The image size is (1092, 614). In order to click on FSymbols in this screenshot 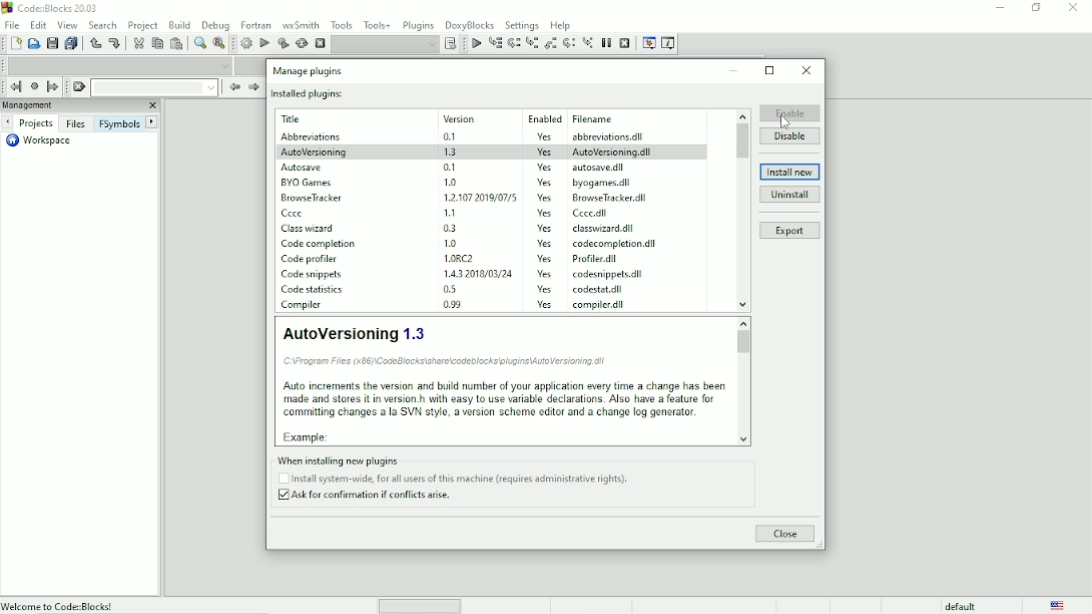, I will do `click(120, 123)`.